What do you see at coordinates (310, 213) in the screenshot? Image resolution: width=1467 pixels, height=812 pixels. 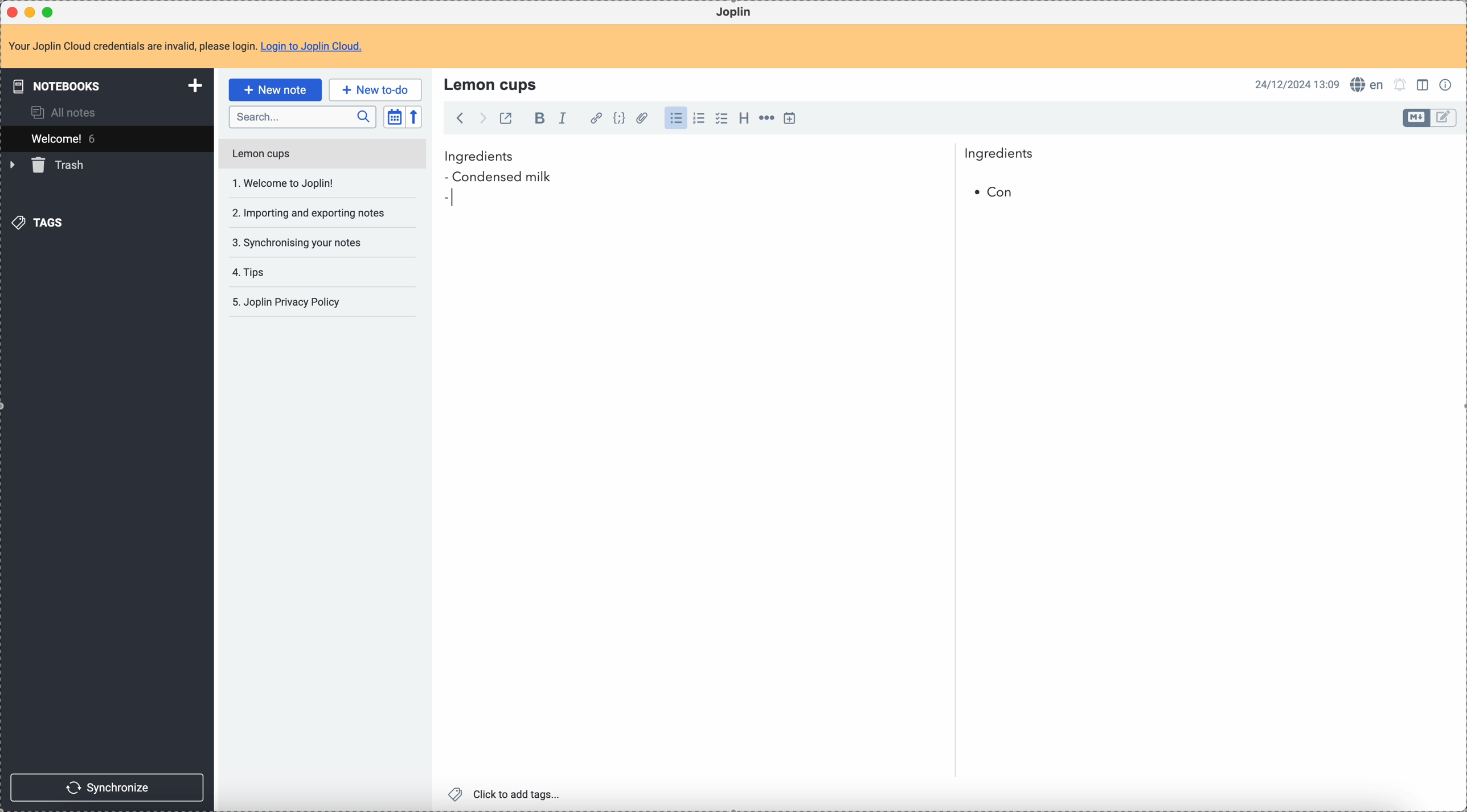 I see `importing and exporting your notes` at bounding box center [310, 213].